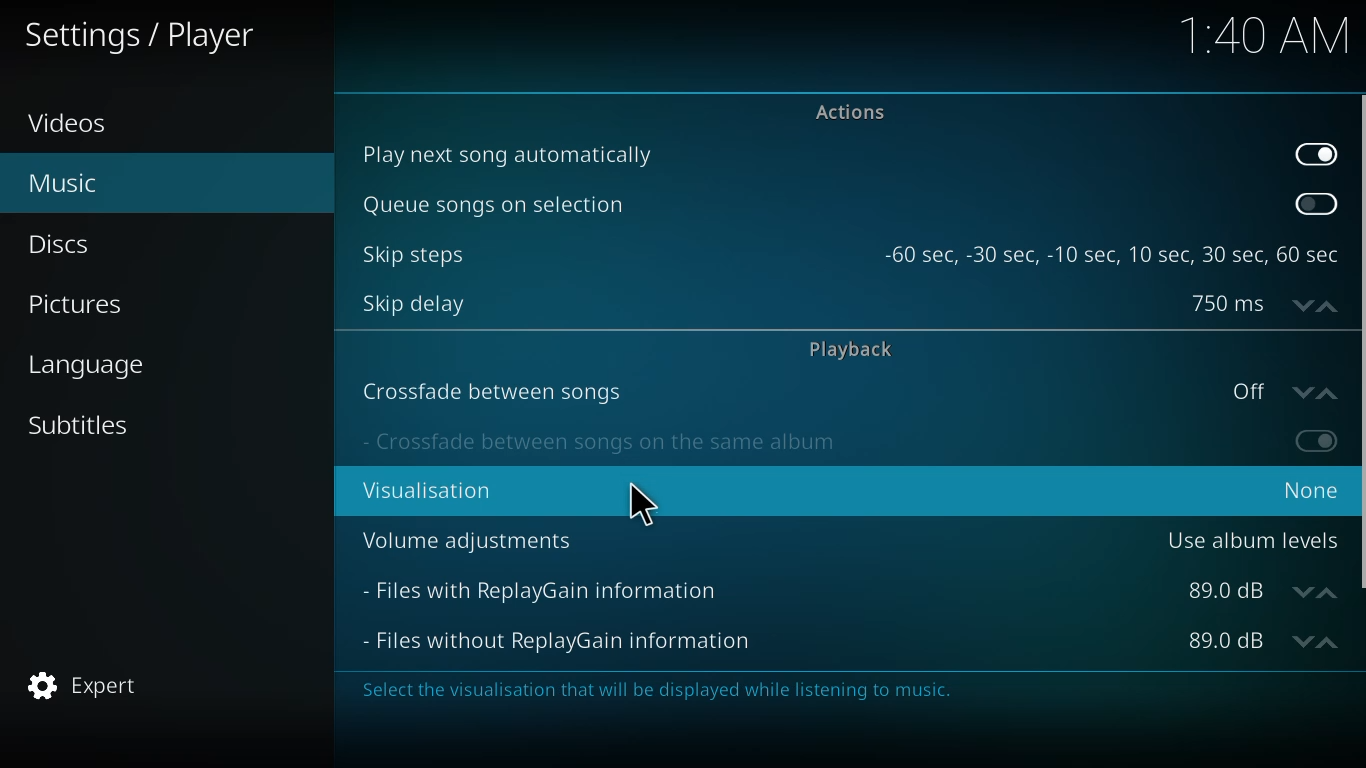 This screenshot has height=768, width=1366. I want to click on db, so click(1263, 591).